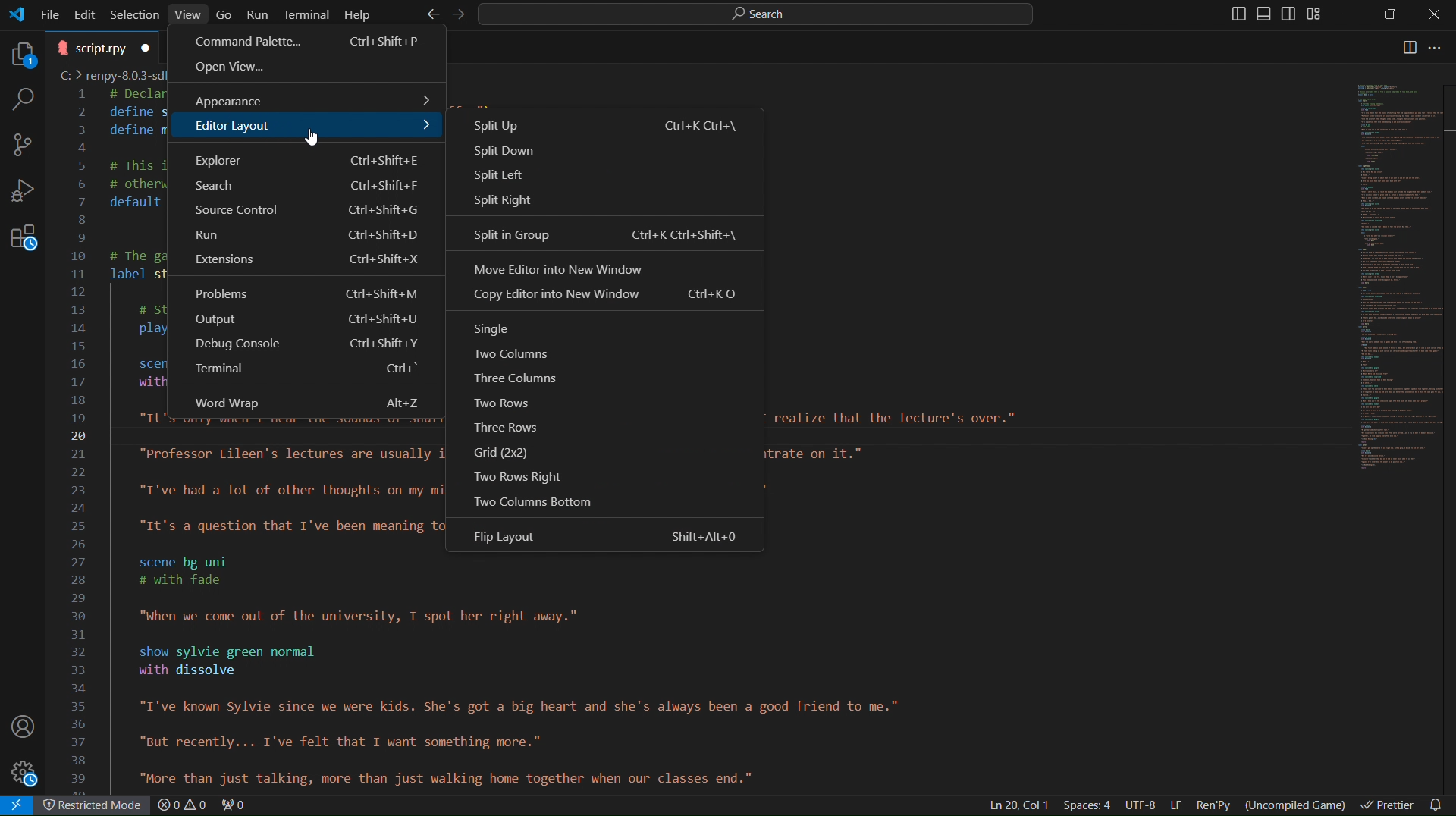 Image resolution: width=1456 pixels, height=816 pixels. Describe the element at coordinates (103, 47) in the screenshot. I see `script.rpy` at that location.